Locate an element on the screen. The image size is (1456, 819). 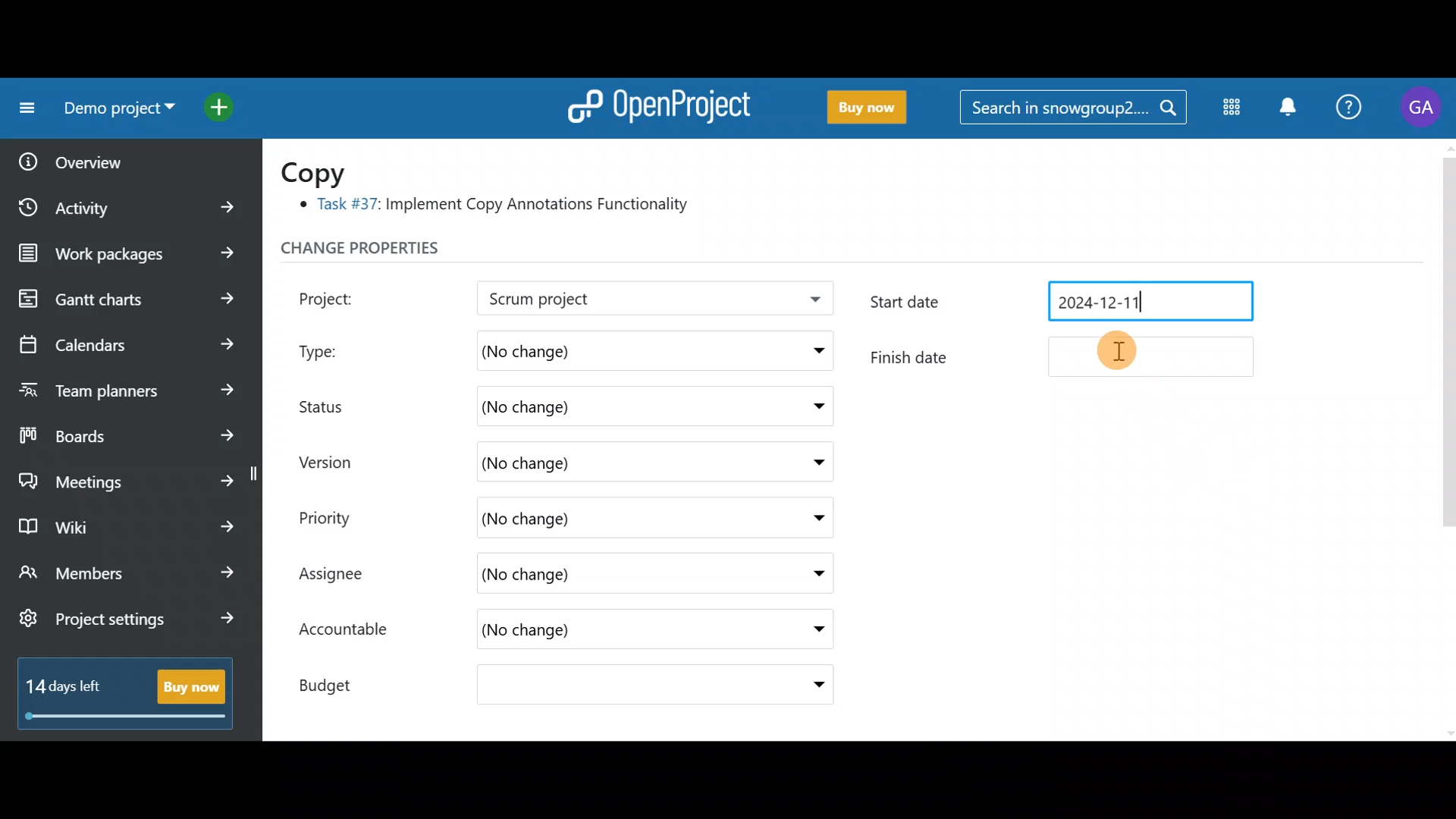
Assignee drop down is located at coordinates (806, 574).